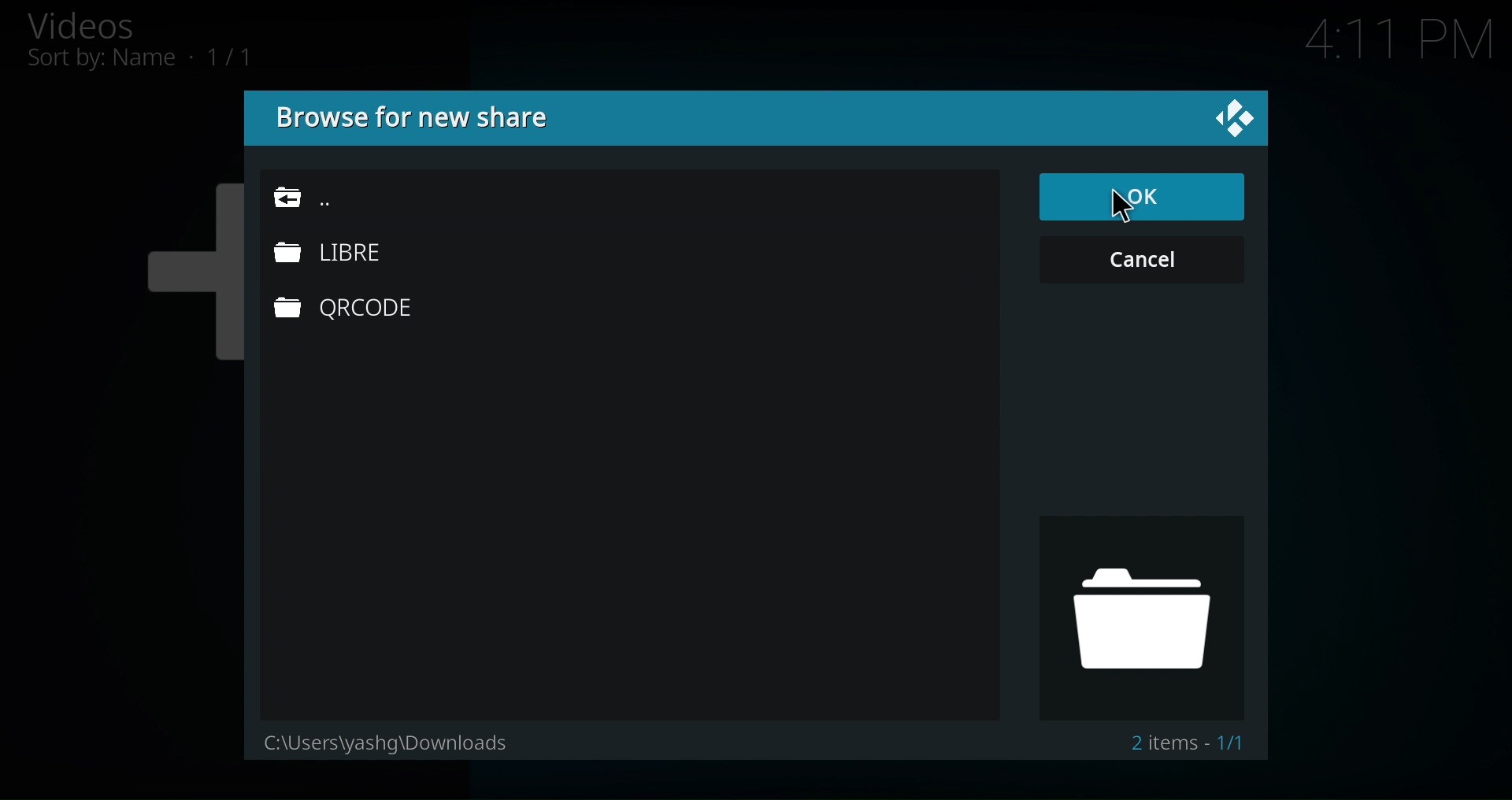 Image resolution: width=1512 pixels, height=800 pixels. What do you see at coordinates (1235, 117) in the screenshot?
I see `close` at bounding box center [1235, 117].